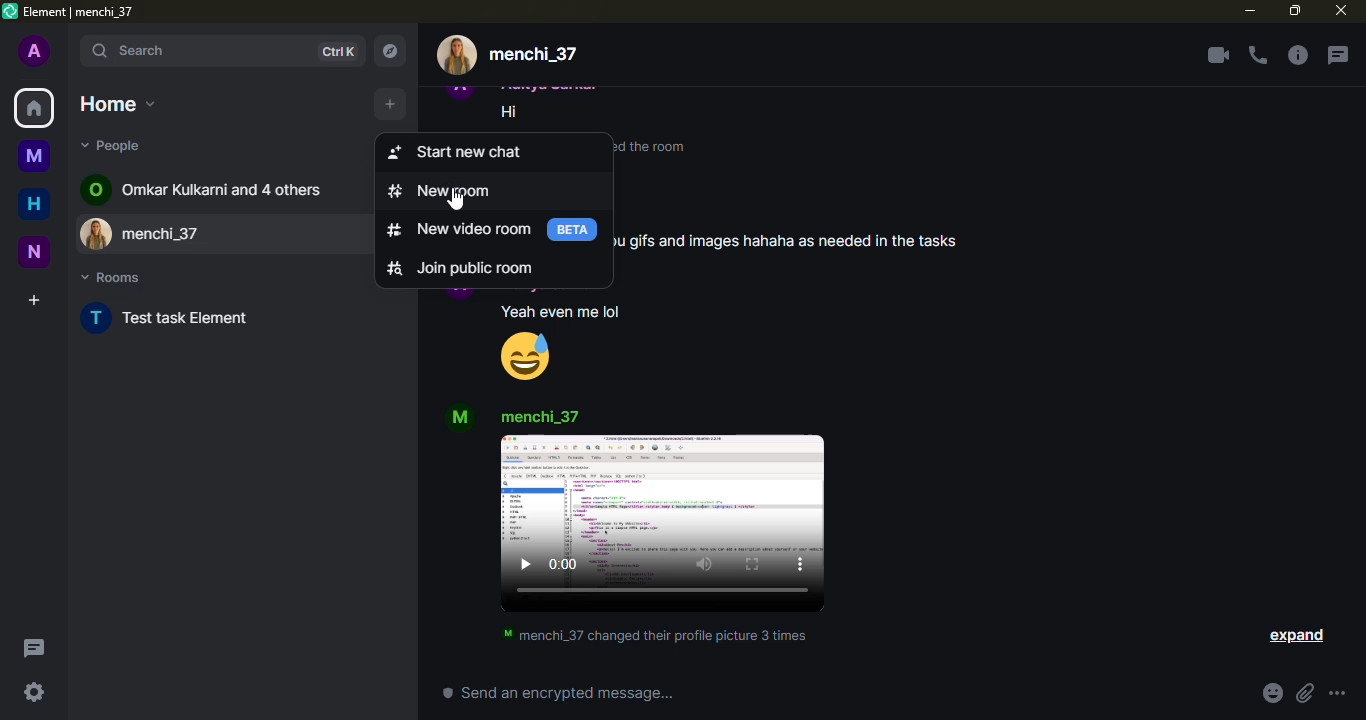  I want to click on explore rooms, so click(389, 51).